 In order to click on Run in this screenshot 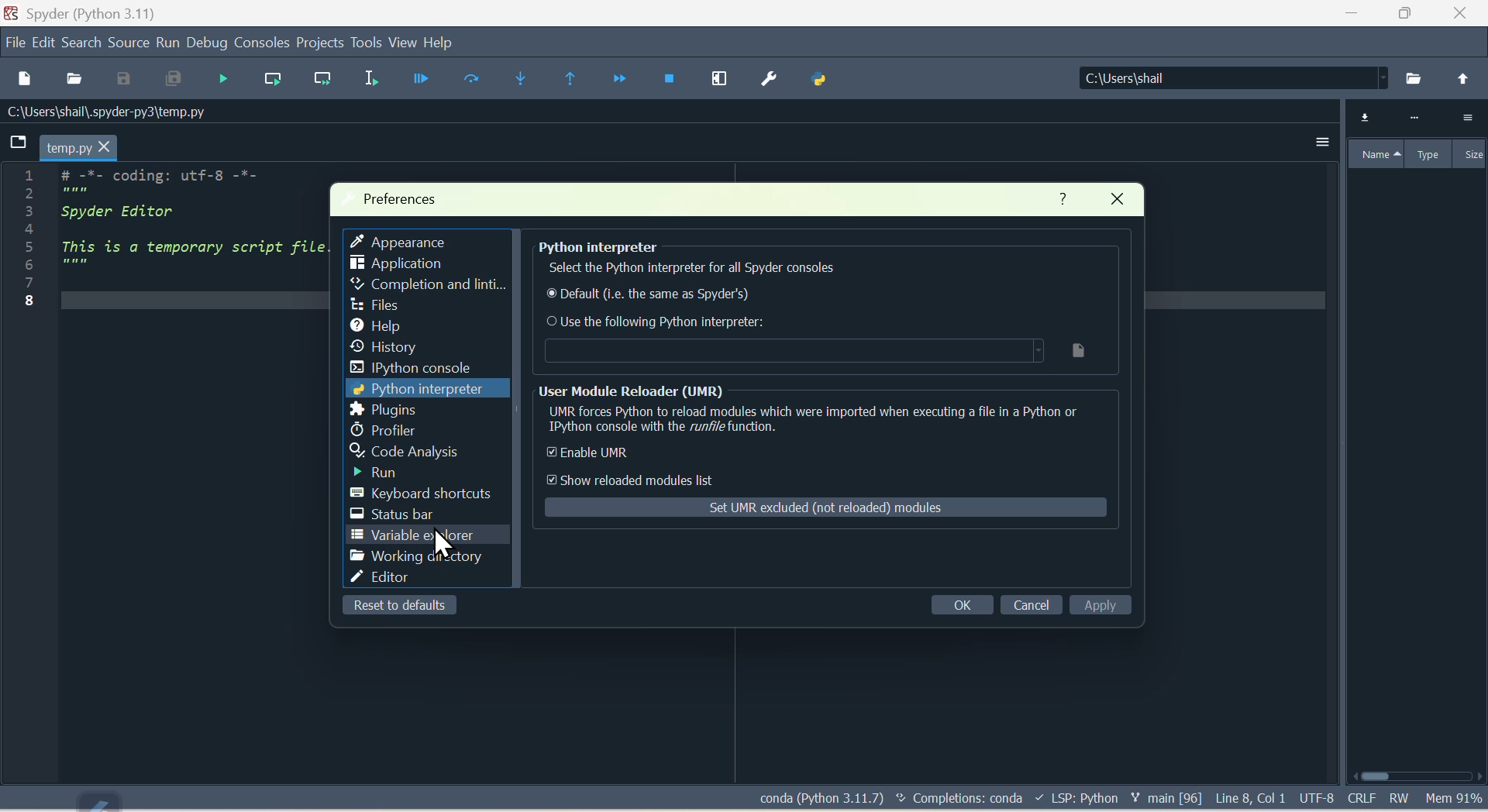, I will do `click(372, 471)`.